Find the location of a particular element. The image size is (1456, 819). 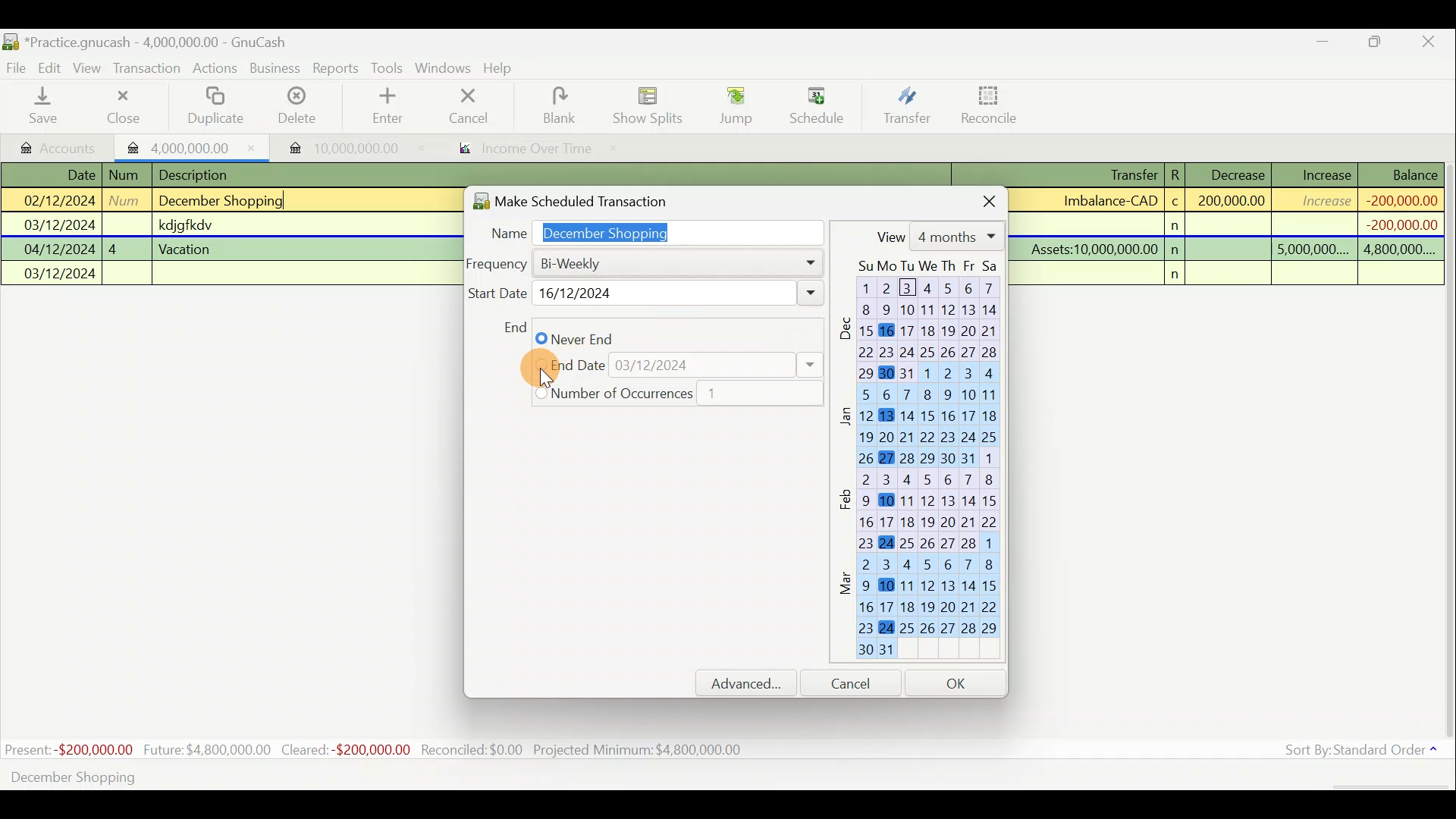

Lines of transactions is located at coordinates (187, 227).